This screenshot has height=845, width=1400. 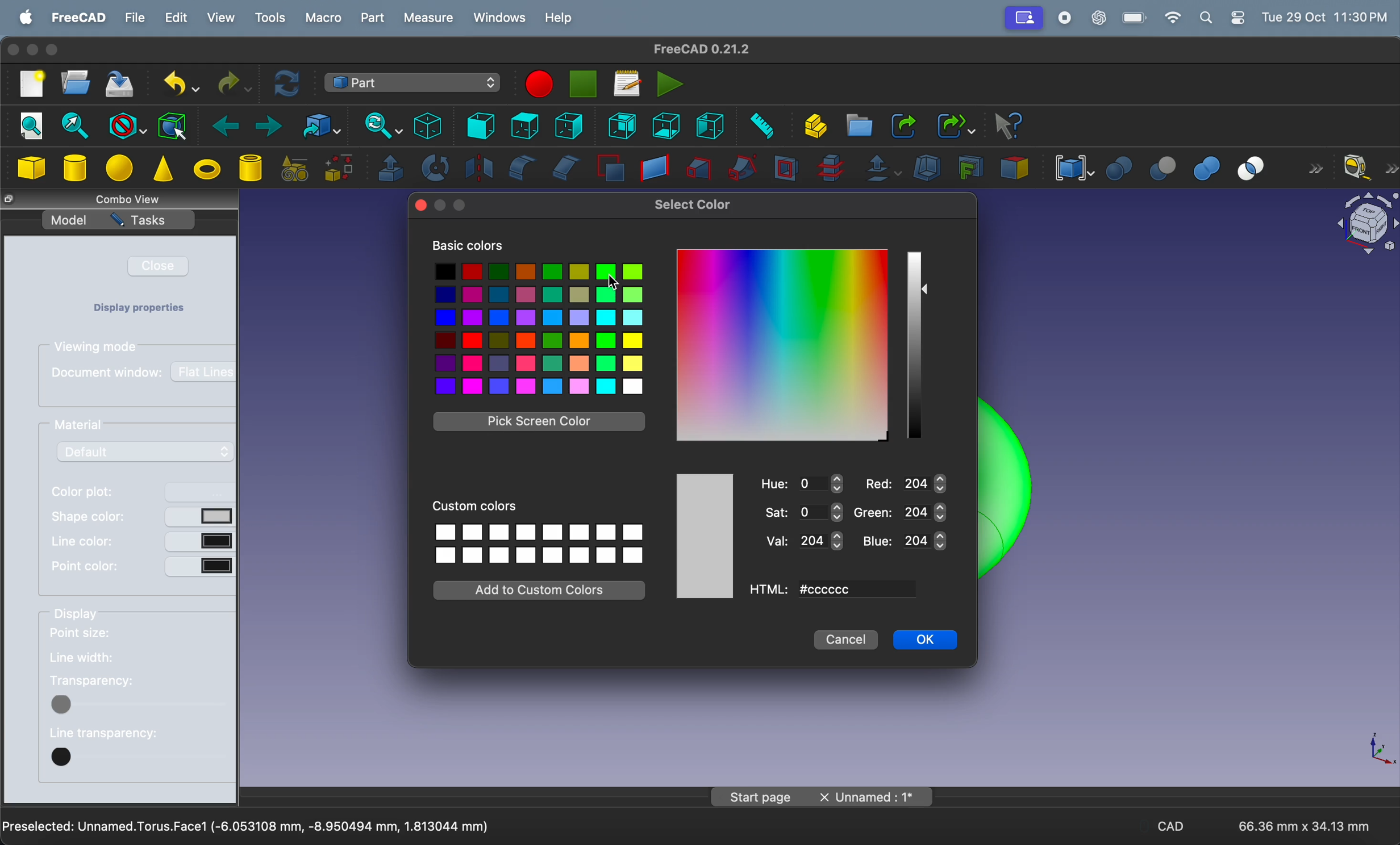 What do you see at coordinates (665, 126) in the screenshot?
I see `bottom view` at bounding box center [665, 126].